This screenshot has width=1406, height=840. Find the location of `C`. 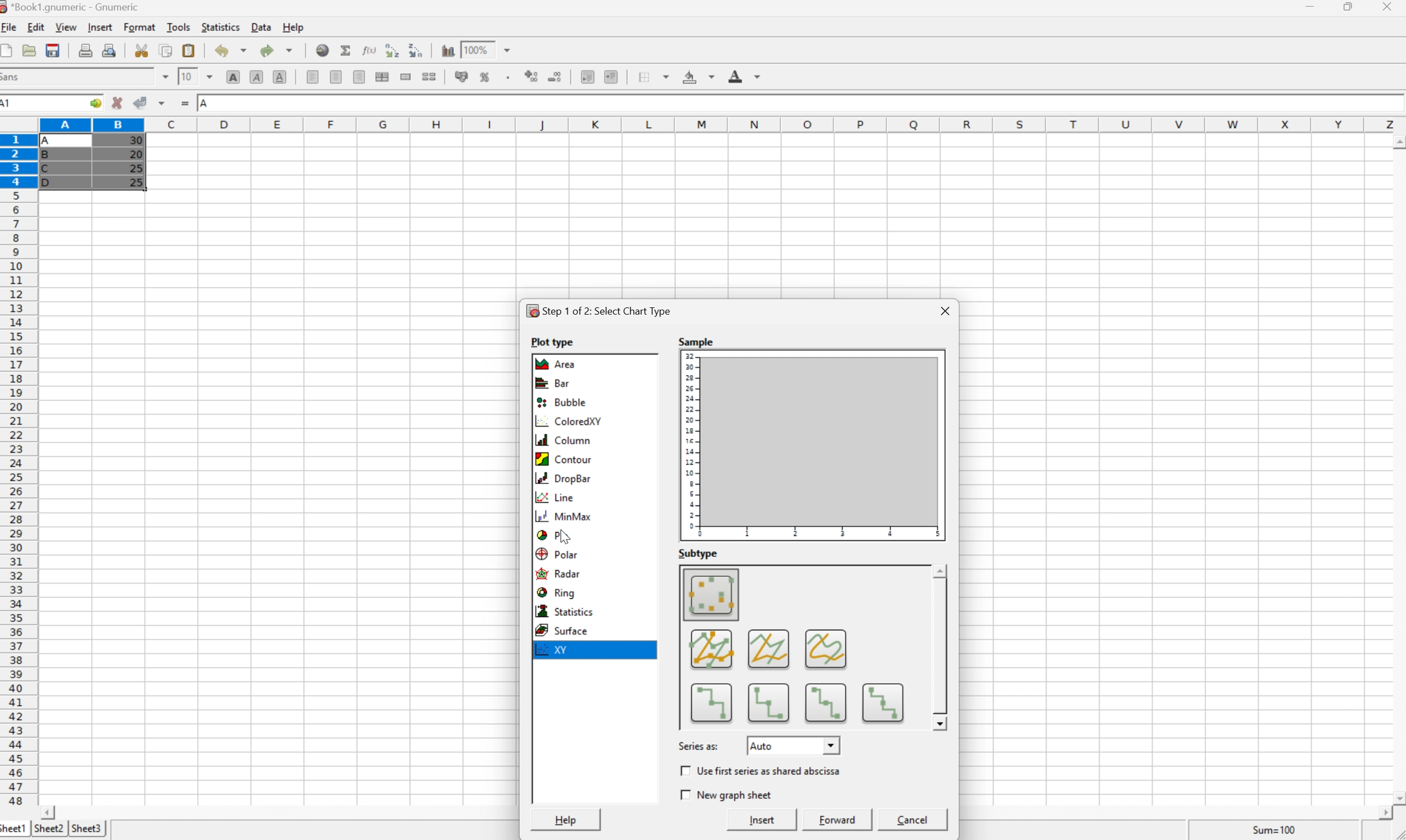

C is located at coordinates (48, 169).